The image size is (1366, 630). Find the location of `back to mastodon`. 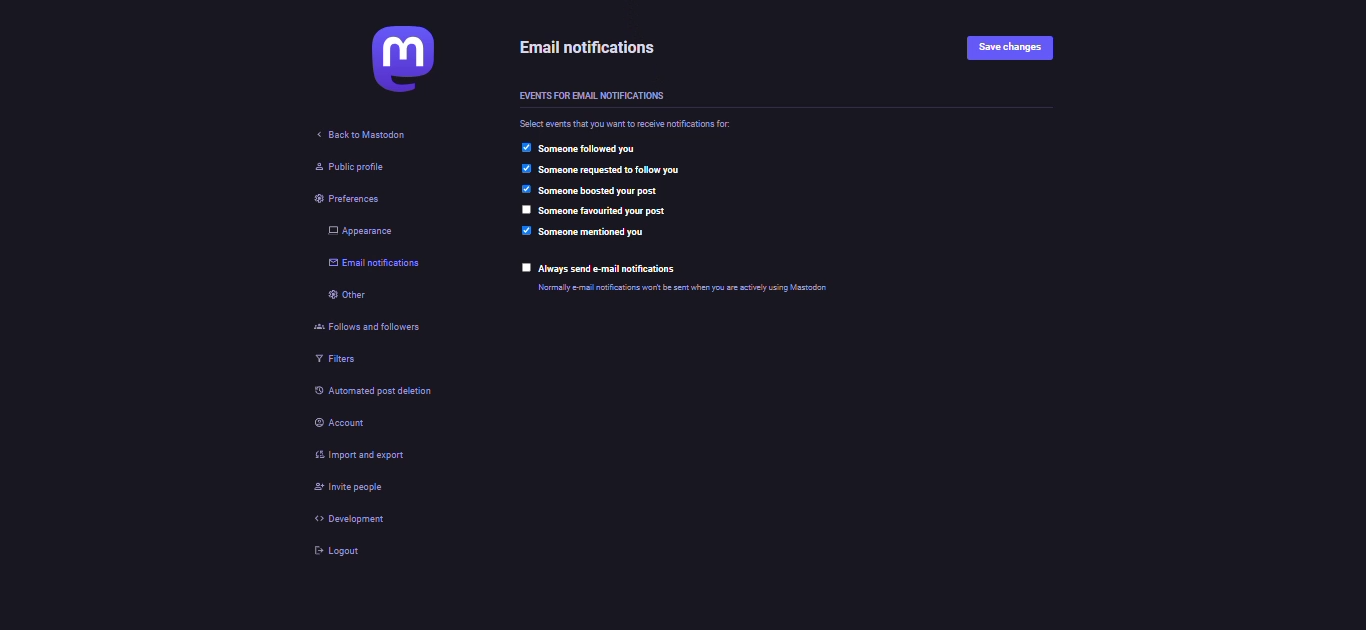

back to mastodon is located at coordinates (357, 135).